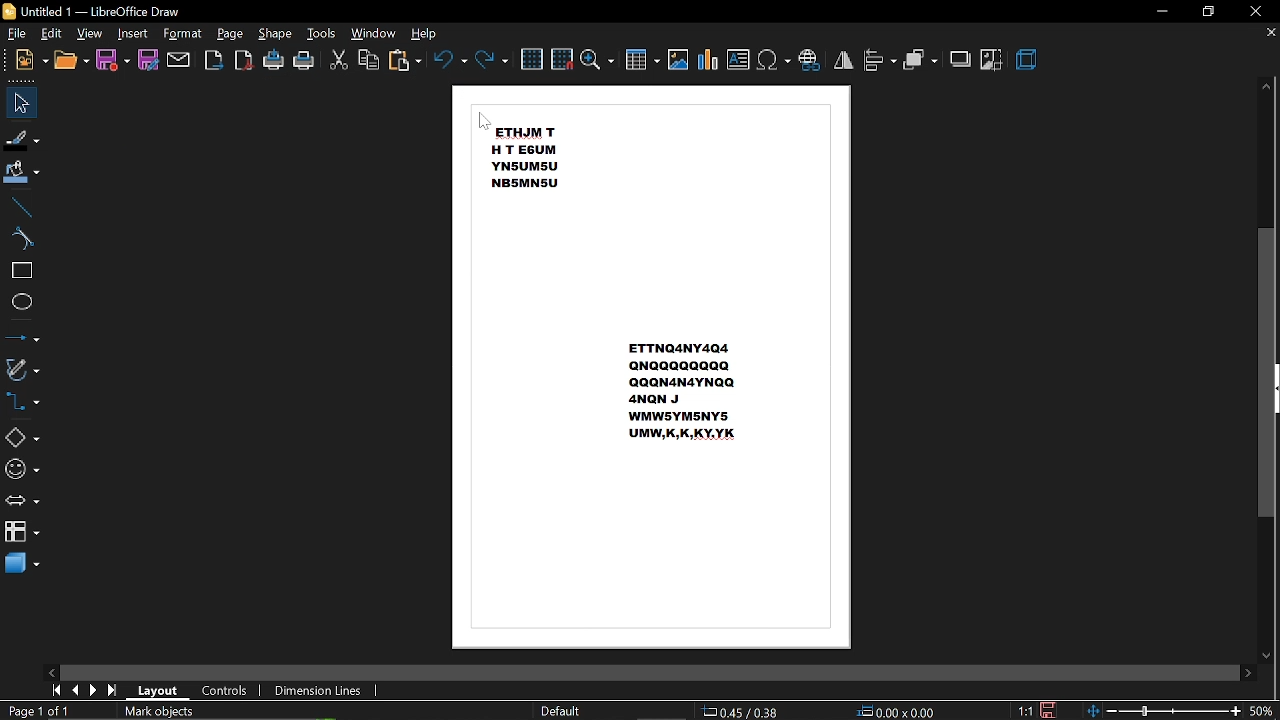 This screenshot has width=1280, height=720. I want to click on ellipse, so click(21, 302).